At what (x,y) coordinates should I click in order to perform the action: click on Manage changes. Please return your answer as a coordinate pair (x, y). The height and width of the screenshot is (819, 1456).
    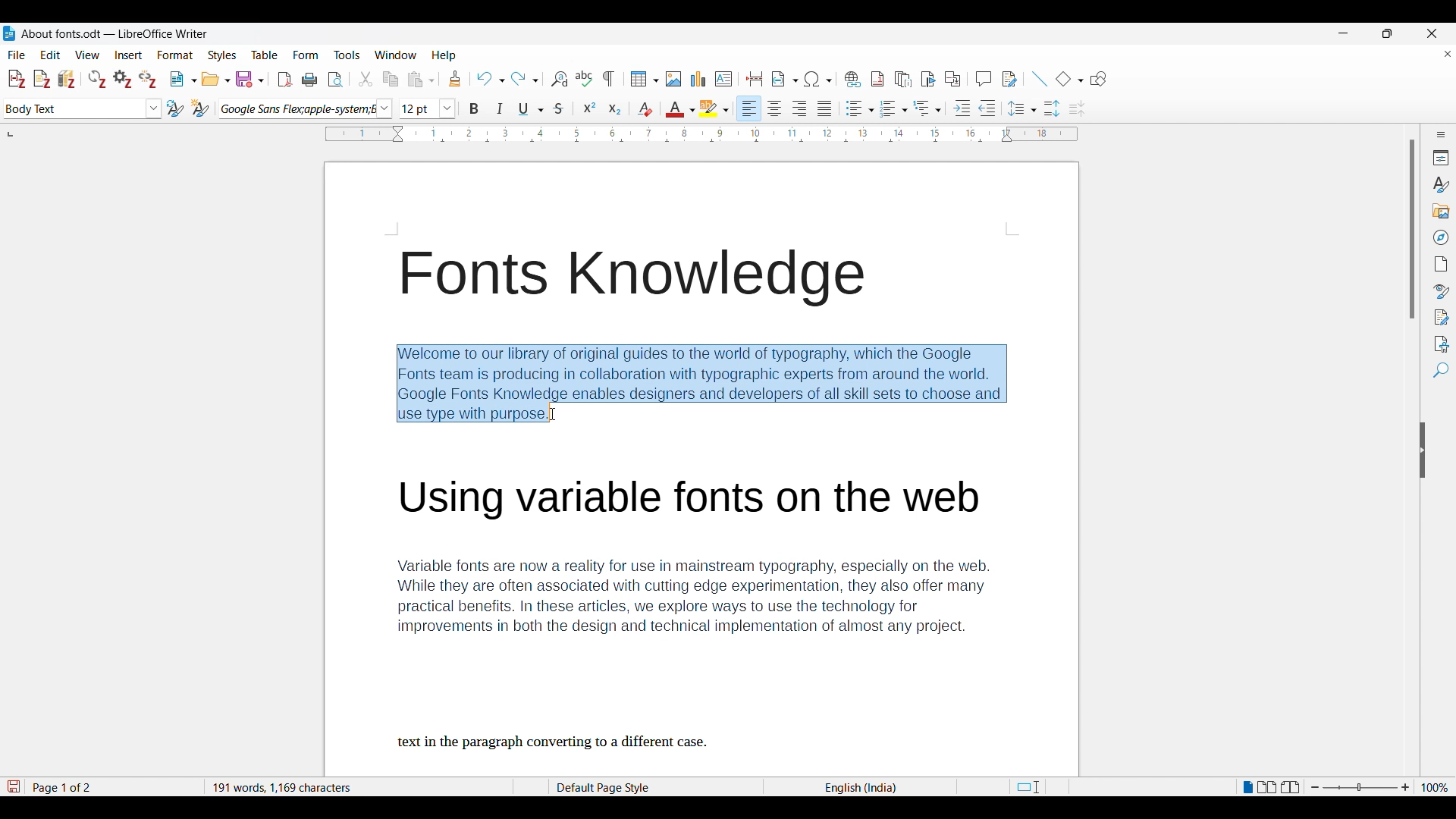
    Looking at the image, I should click on (1442, 318).